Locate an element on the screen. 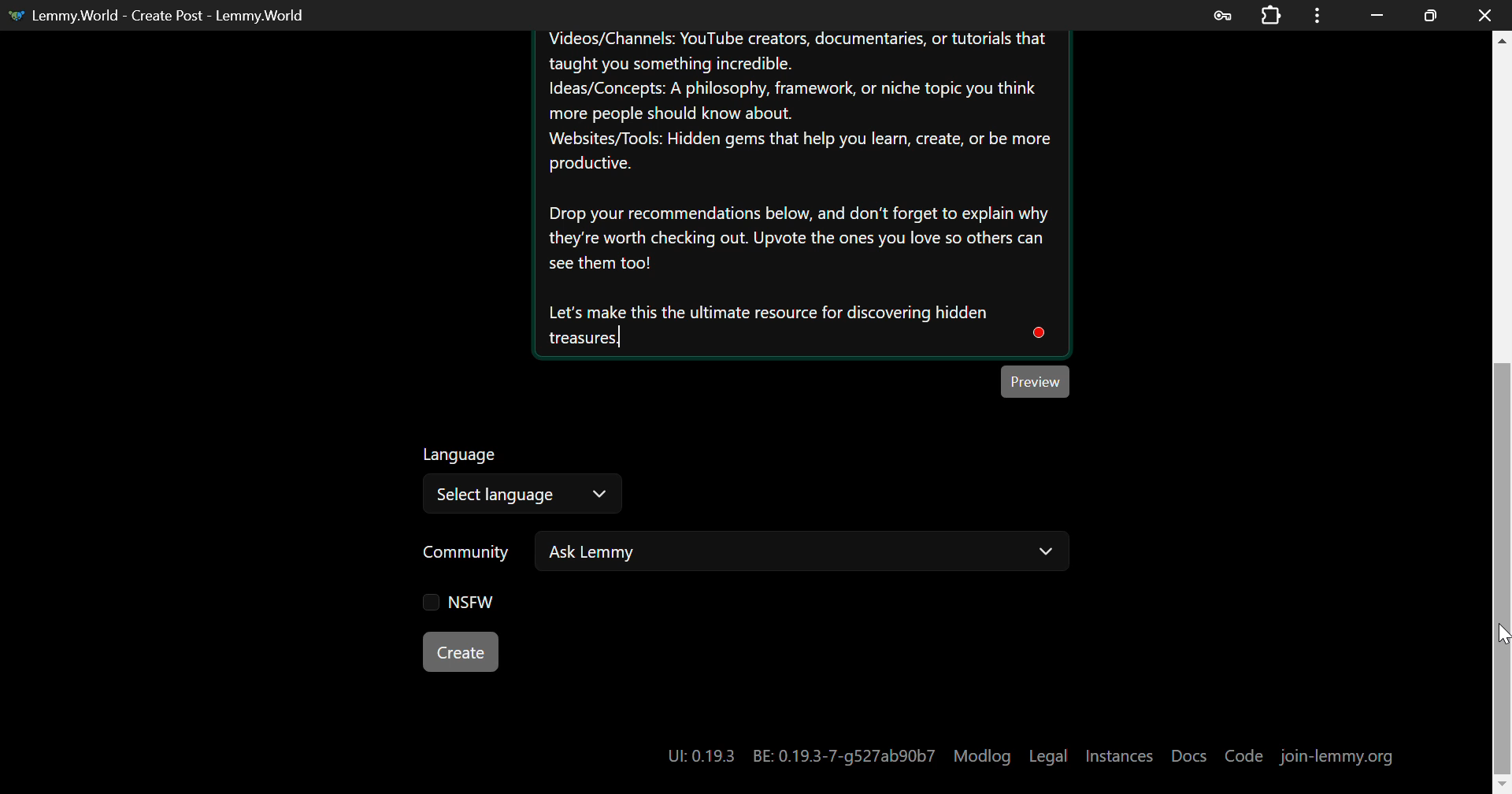  Menu is located at coordinates (1317, 15).